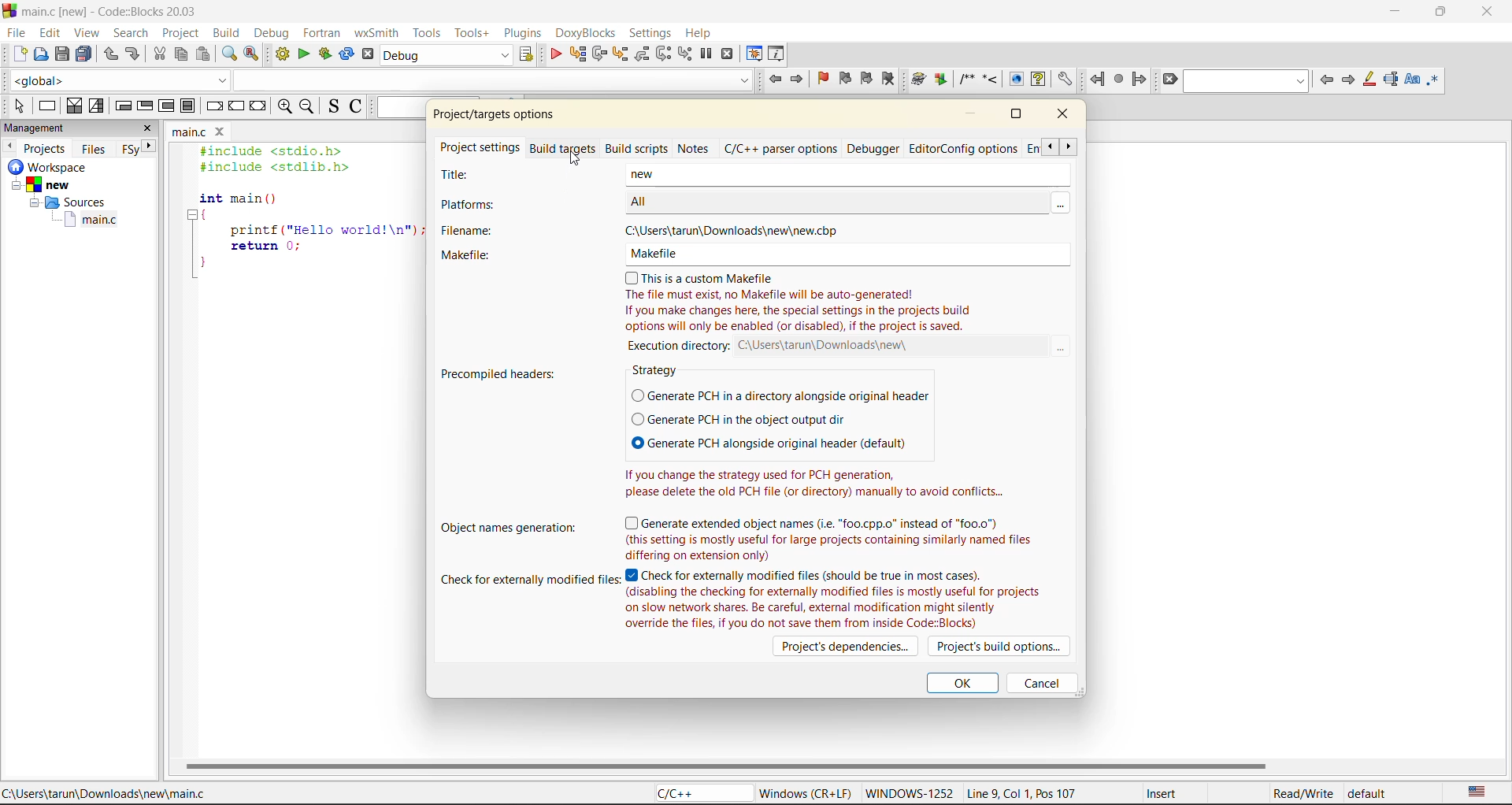 This screenshot has width=1512, height=805. What do you see at coordinates (774, 396) in the screenshot?
I see `(O Generate PCH in a directory alongside original header` at bounding box center [774, 396].